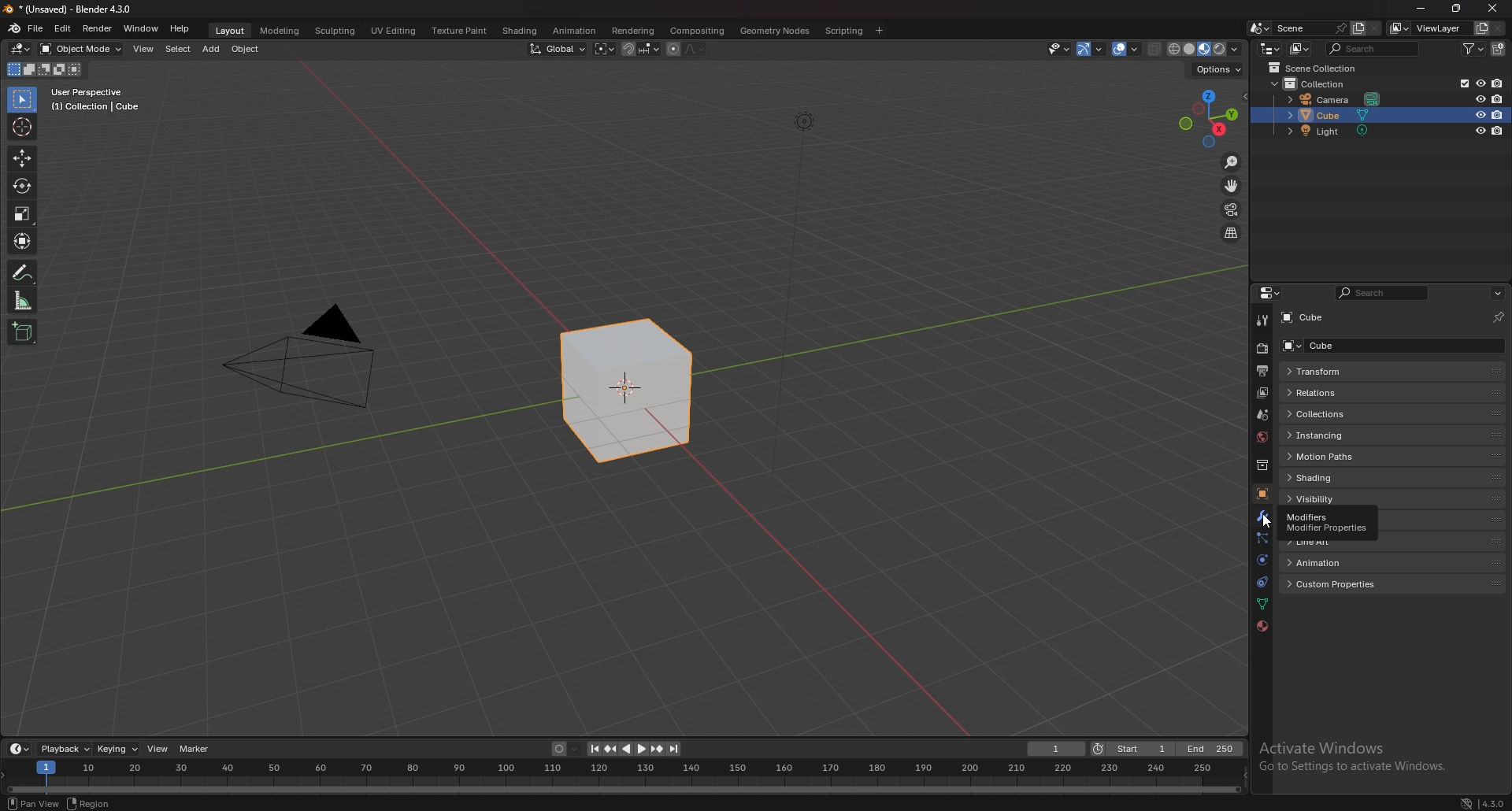  Describe the element at coordinates (392, 30) in the screenshot. I see `uv editing` at that location.